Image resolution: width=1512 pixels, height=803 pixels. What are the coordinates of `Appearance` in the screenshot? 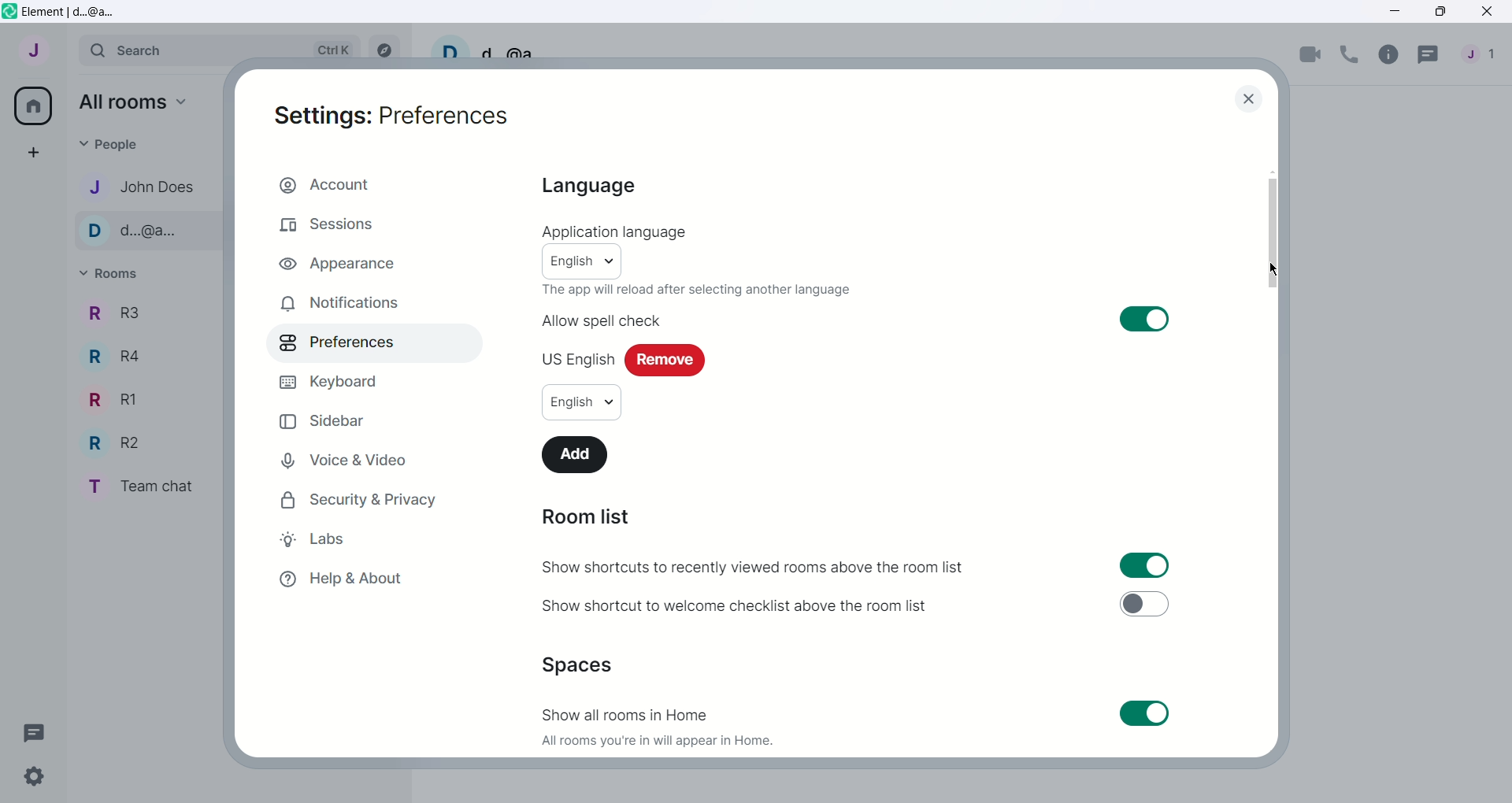 It's located at (370, 261).